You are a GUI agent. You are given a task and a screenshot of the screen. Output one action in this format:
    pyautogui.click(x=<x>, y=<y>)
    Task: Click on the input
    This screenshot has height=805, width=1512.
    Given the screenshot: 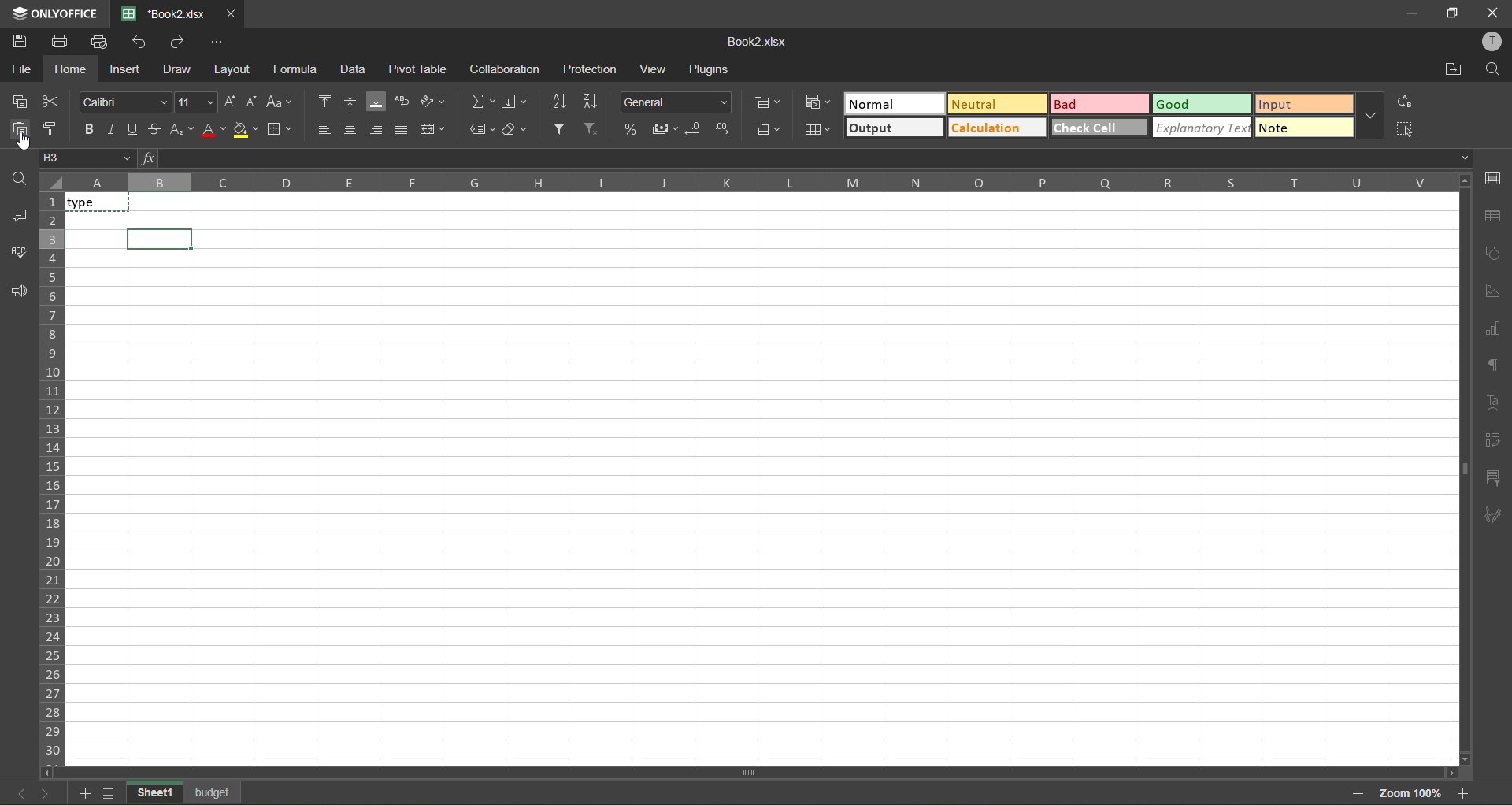 What is the action you would take?
    pyautogui.click(x=1304, y=103)
    